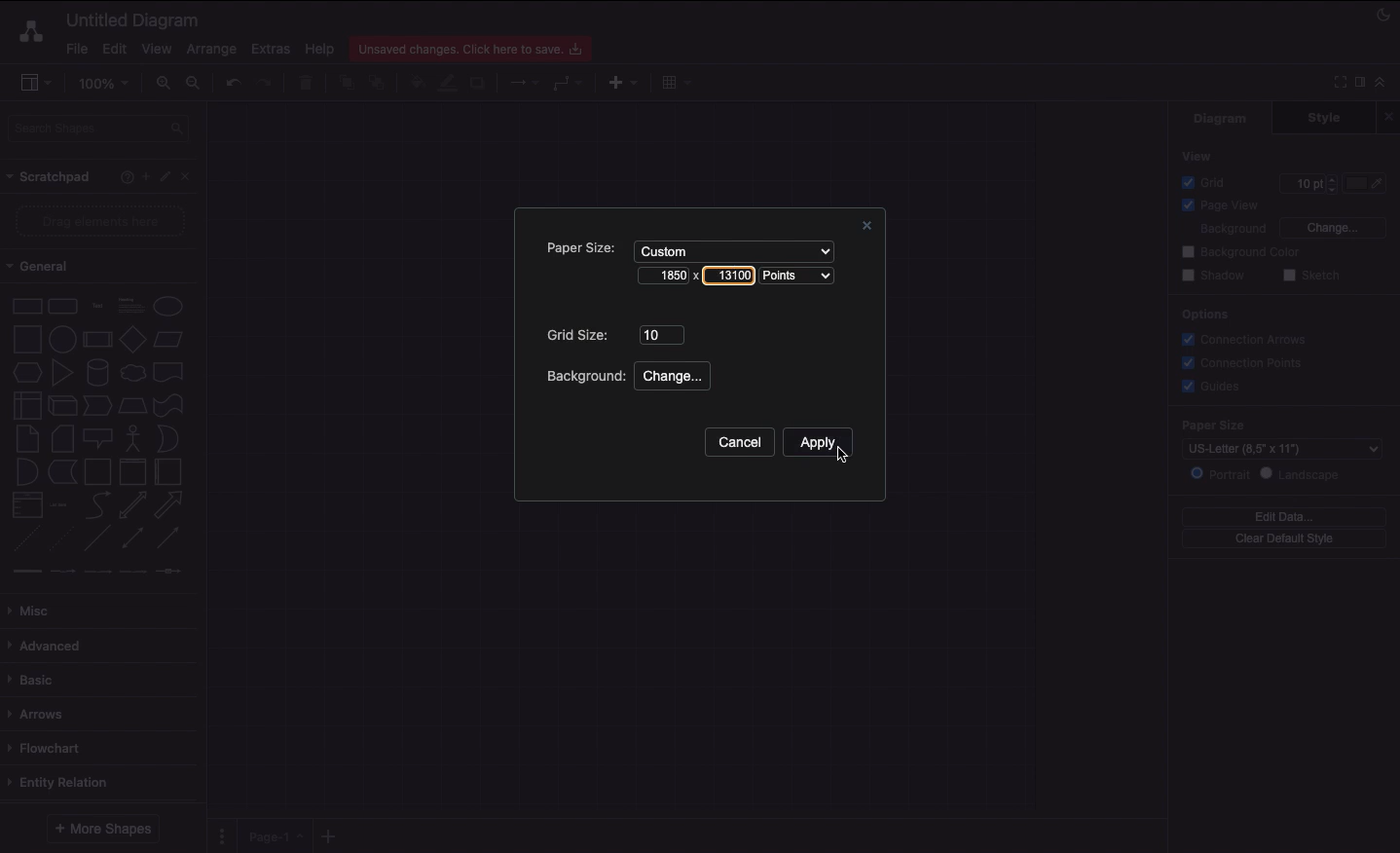 The height and width of the screenshot is (853, 1400). What do you see at coordinates (1391, 116) in the screenshot?
I see `Close` at bounding box center [1391, 116].